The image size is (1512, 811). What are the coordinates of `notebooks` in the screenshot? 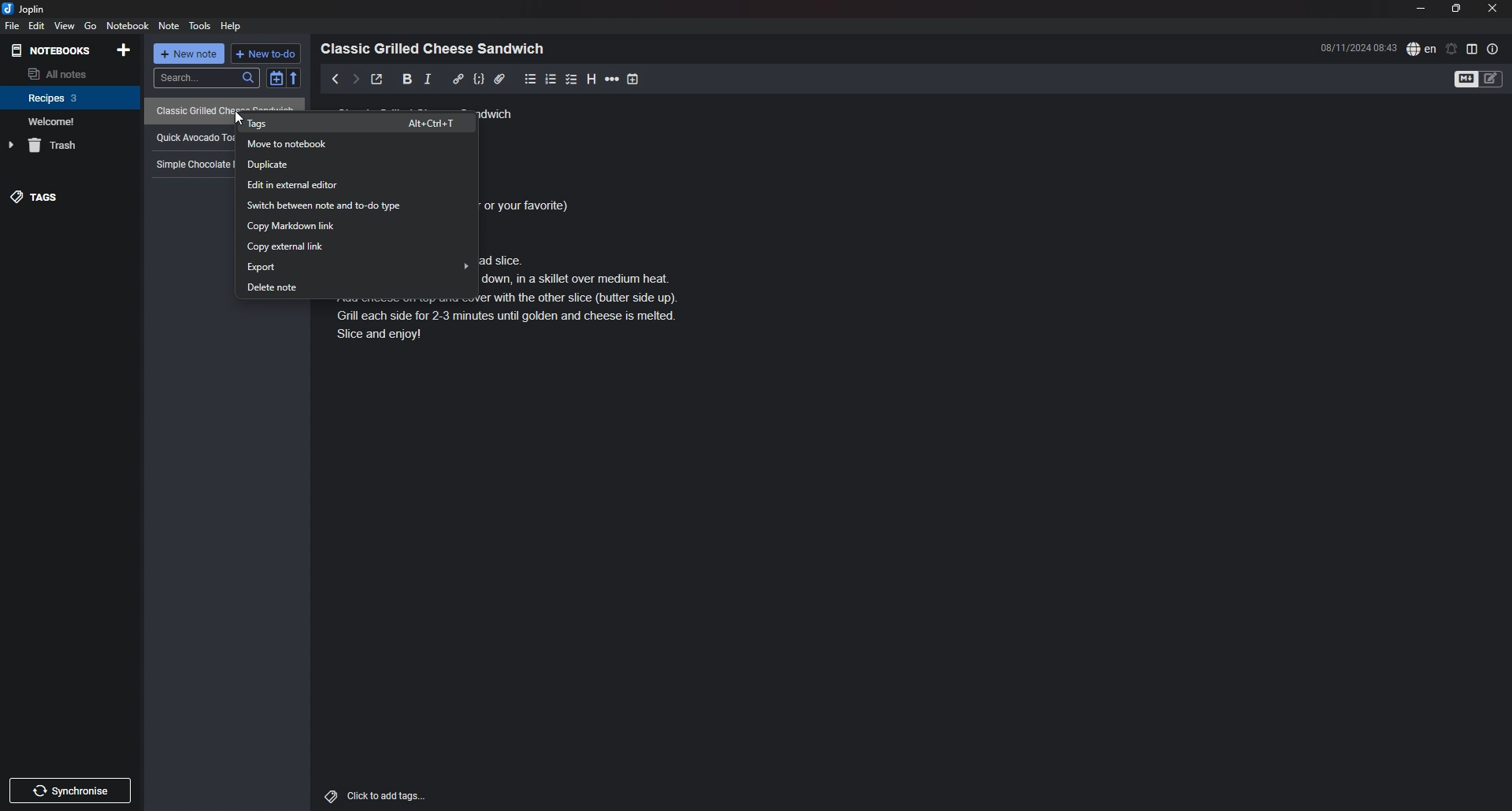 It's located at (53, 50).